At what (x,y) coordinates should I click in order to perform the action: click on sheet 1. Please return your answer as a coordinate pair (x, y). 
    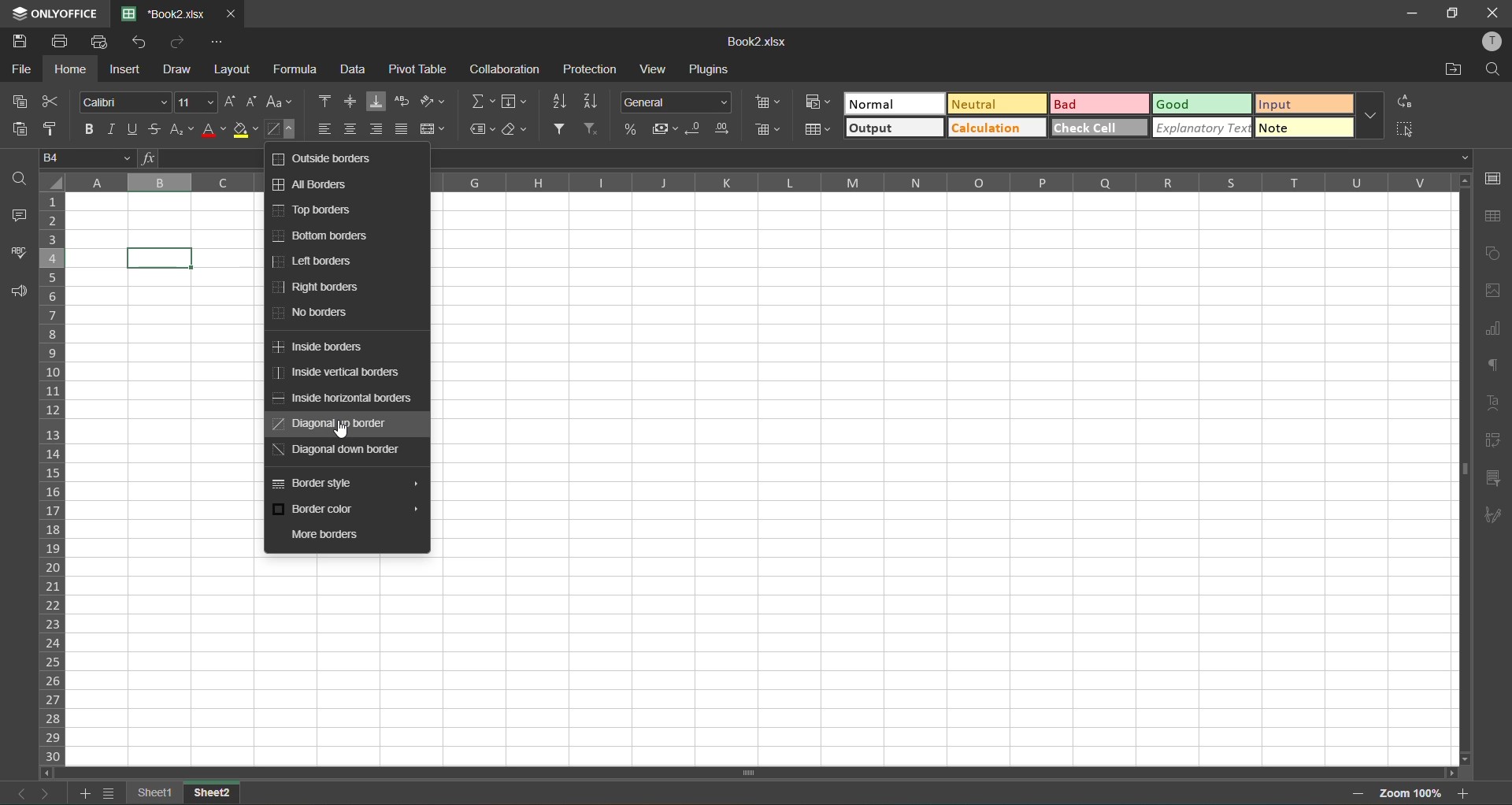
    Looking at the image, I should click on (155, 791).